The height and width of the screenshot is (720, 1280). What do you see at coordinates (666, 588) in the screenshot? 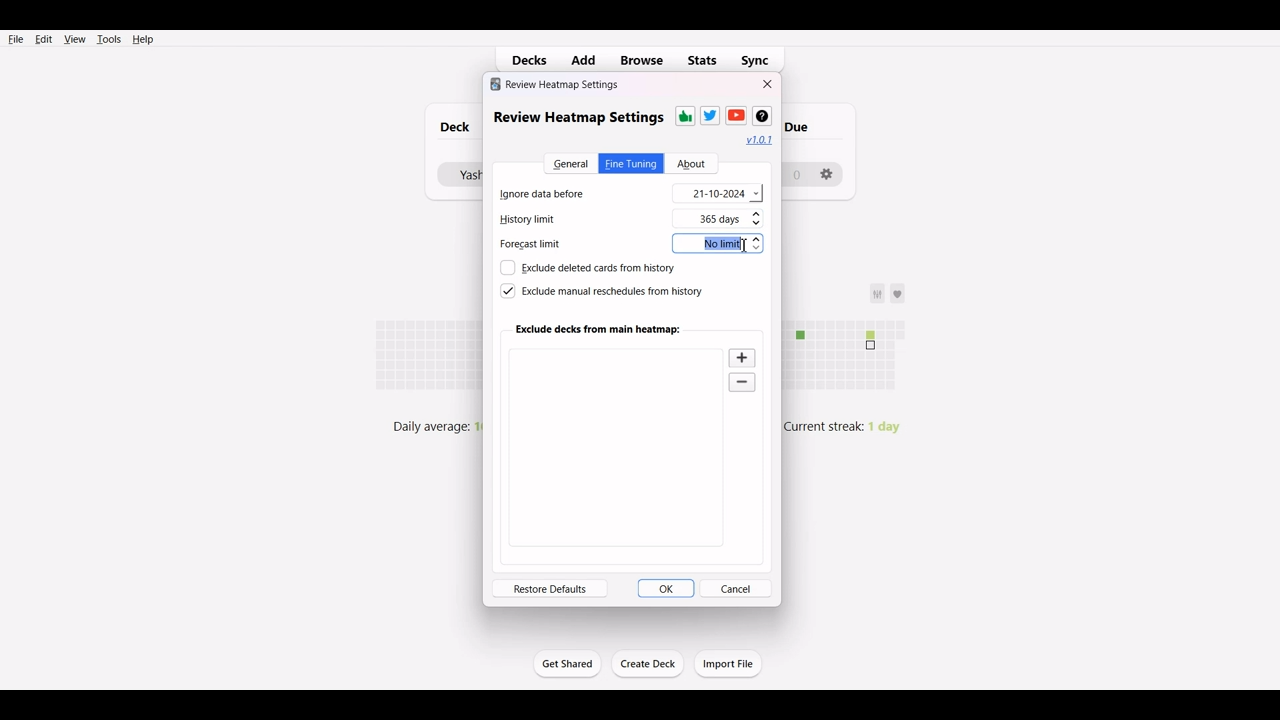
I see `OK` at bounding box center [666, 588].